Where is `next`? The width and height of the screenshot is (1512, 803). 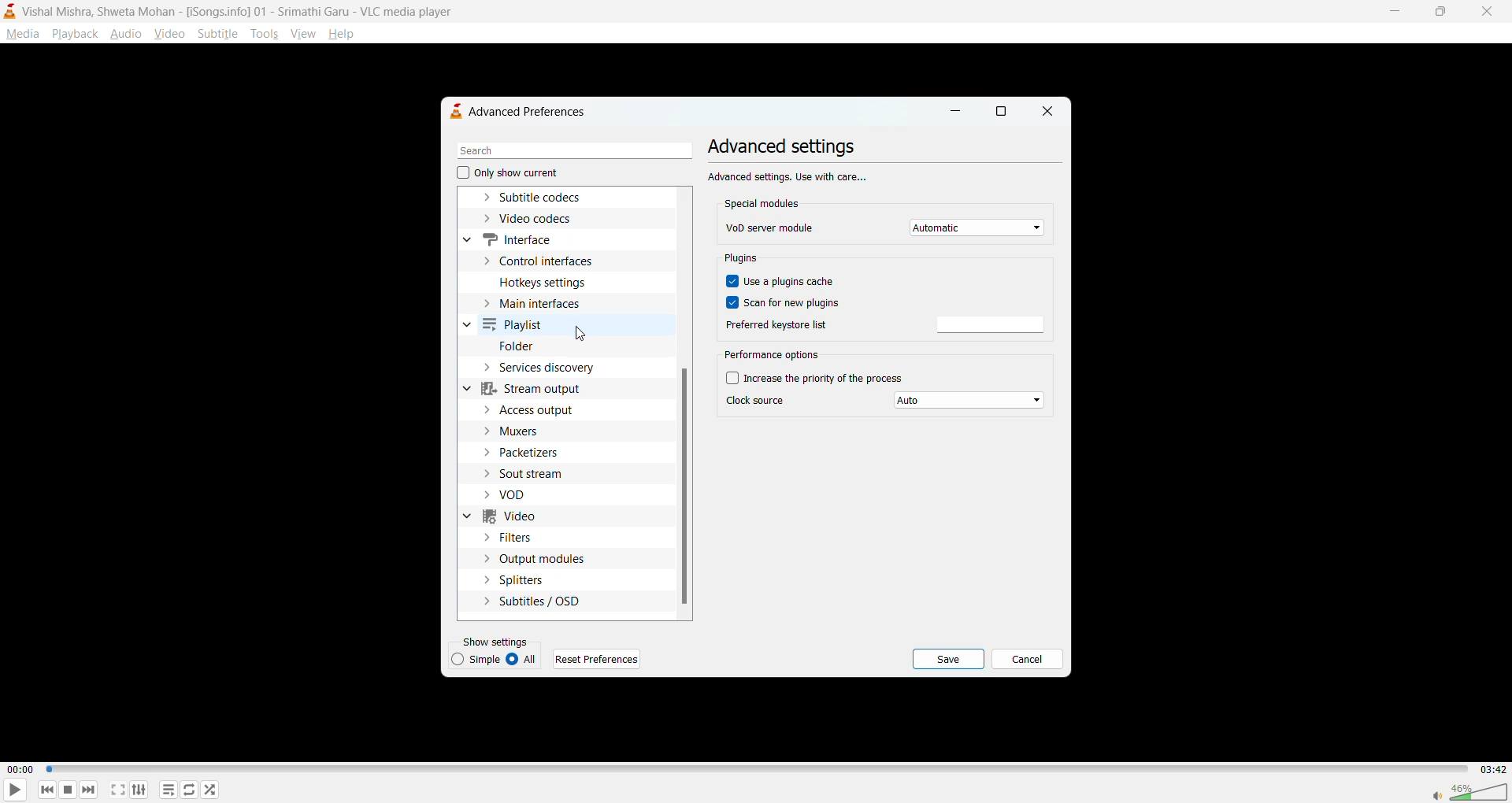
next is located at coordinates (87, 787).